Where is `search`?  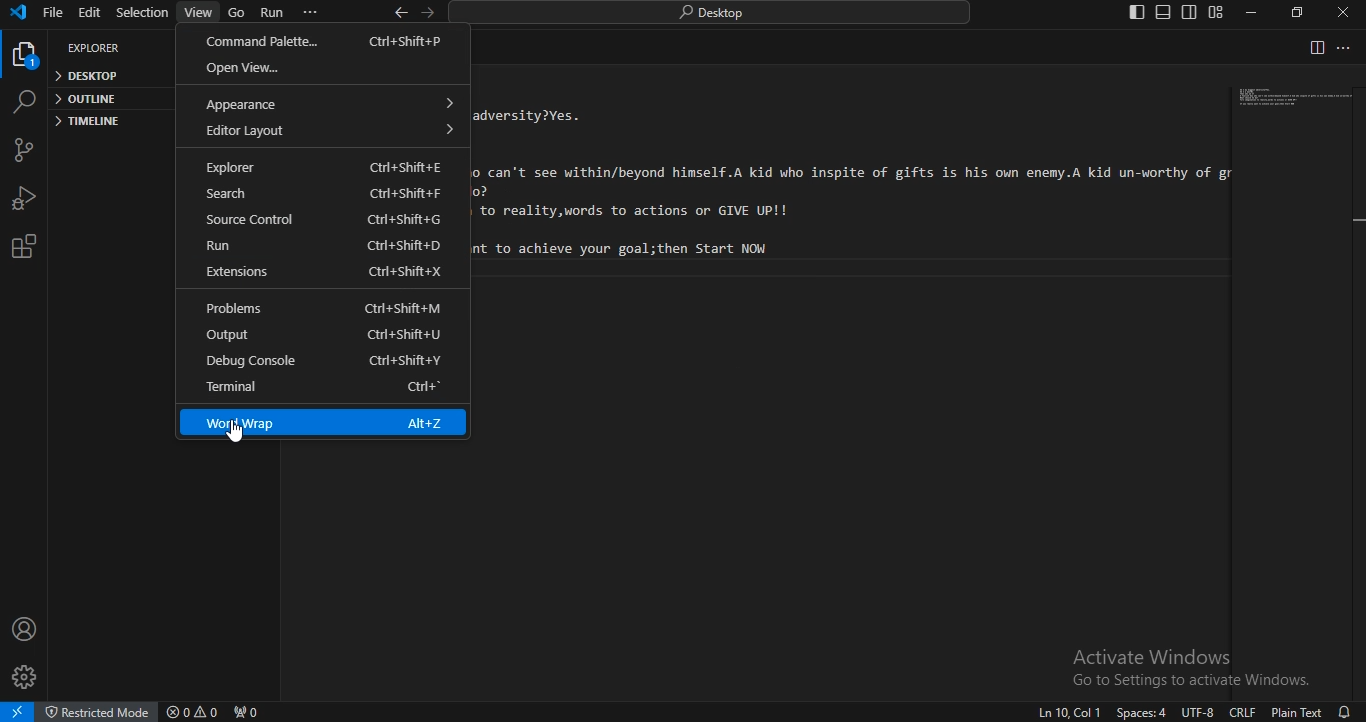
search is located at coordinates (716, 12).